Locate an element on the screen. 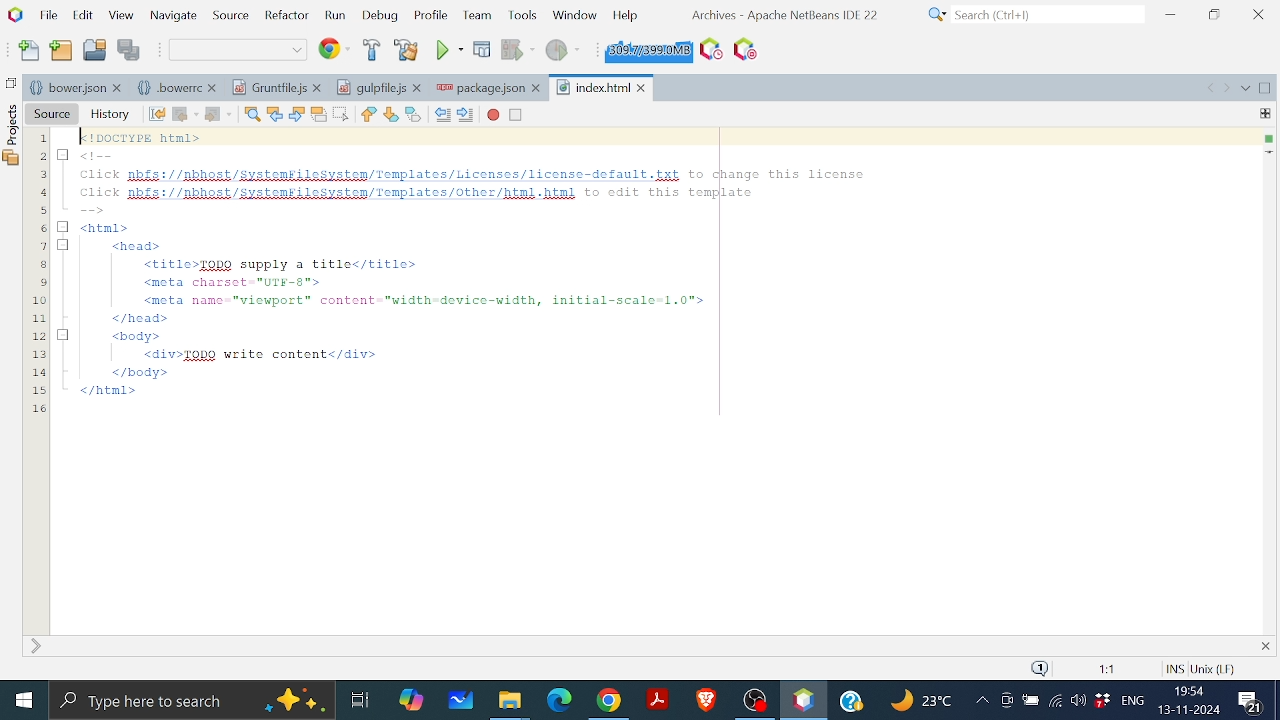 The width and height of the screenshot is (1280, 720). Refractor is located at coordinates (282, 16).